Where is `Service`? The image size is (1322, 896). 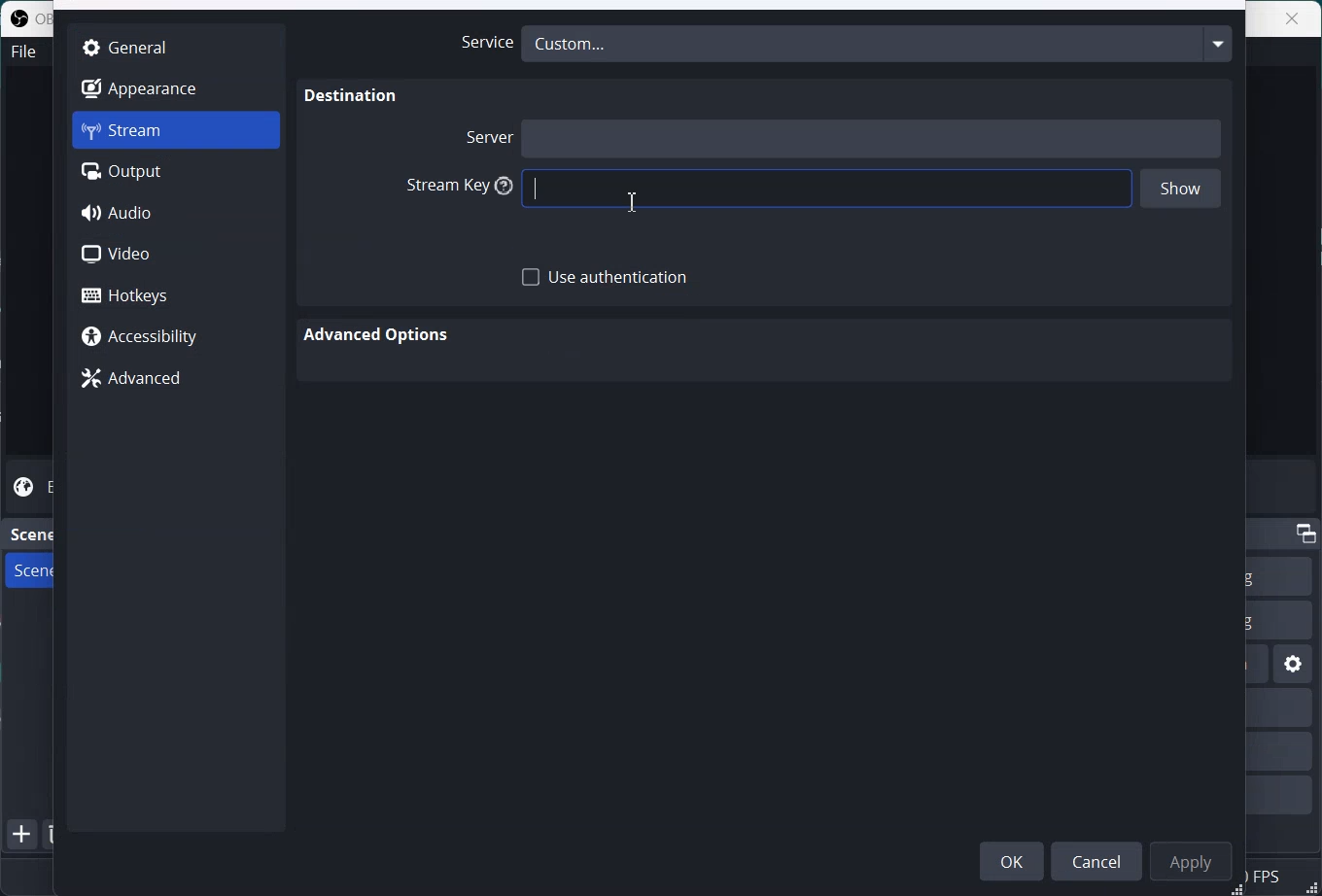 Service is located at coordinates (481, 43).